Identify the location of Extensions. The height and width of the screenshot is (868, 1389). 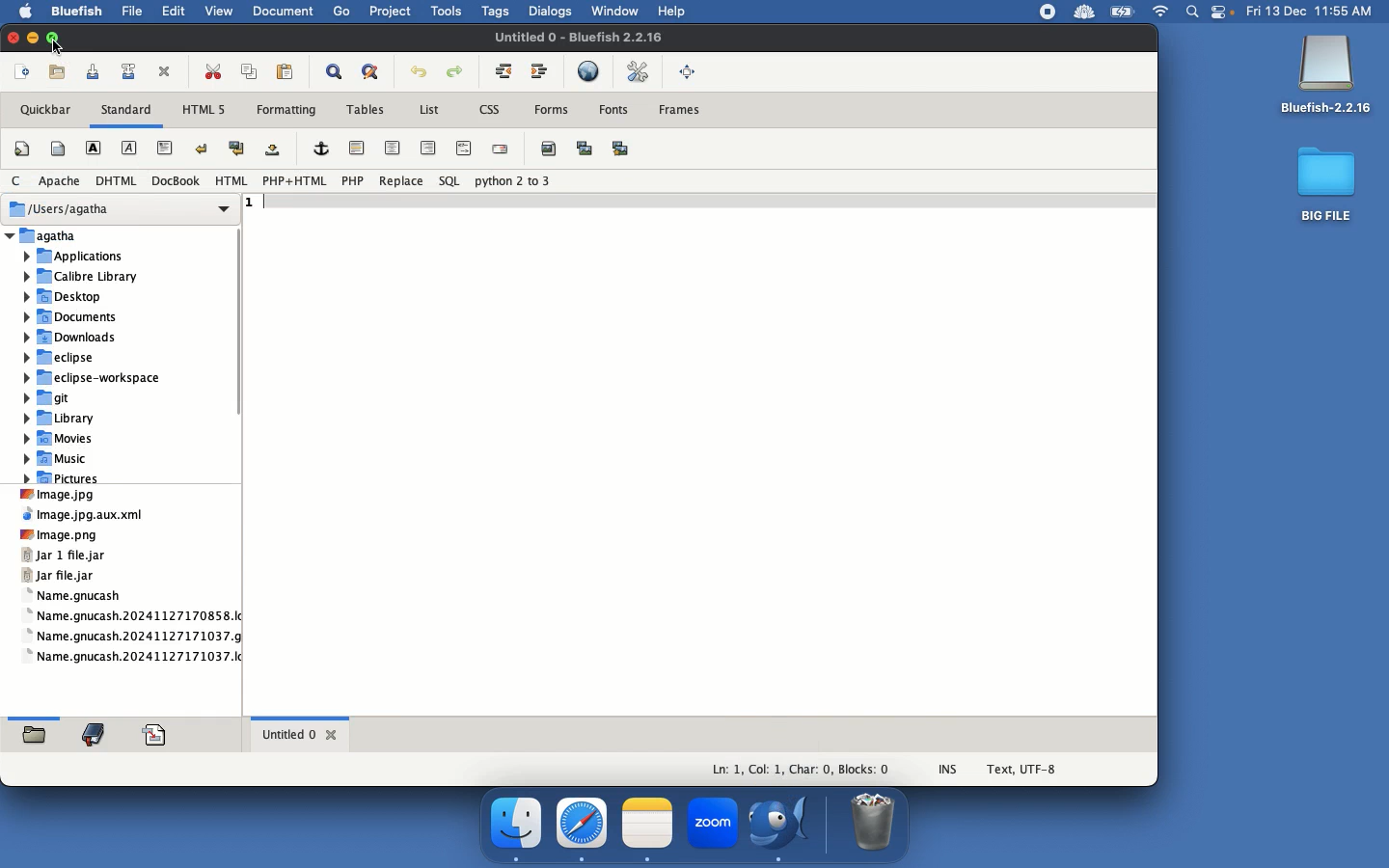
(1064, 12).